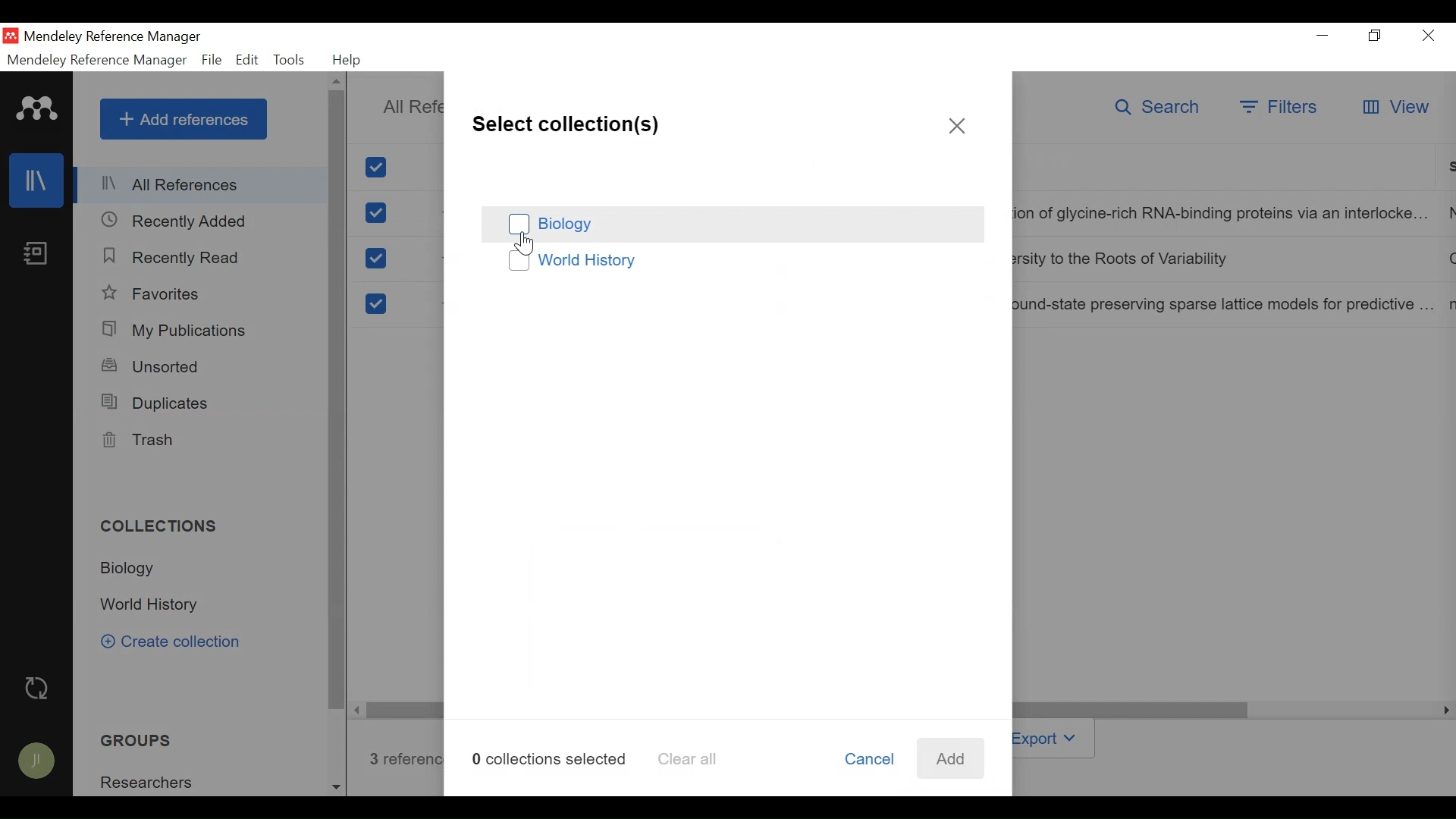 Image resolution: width=1456 pixels, height=819 pixels. Describe the element at coordinates (36, 255) in the screenshot. I see `Notebook` at that location.